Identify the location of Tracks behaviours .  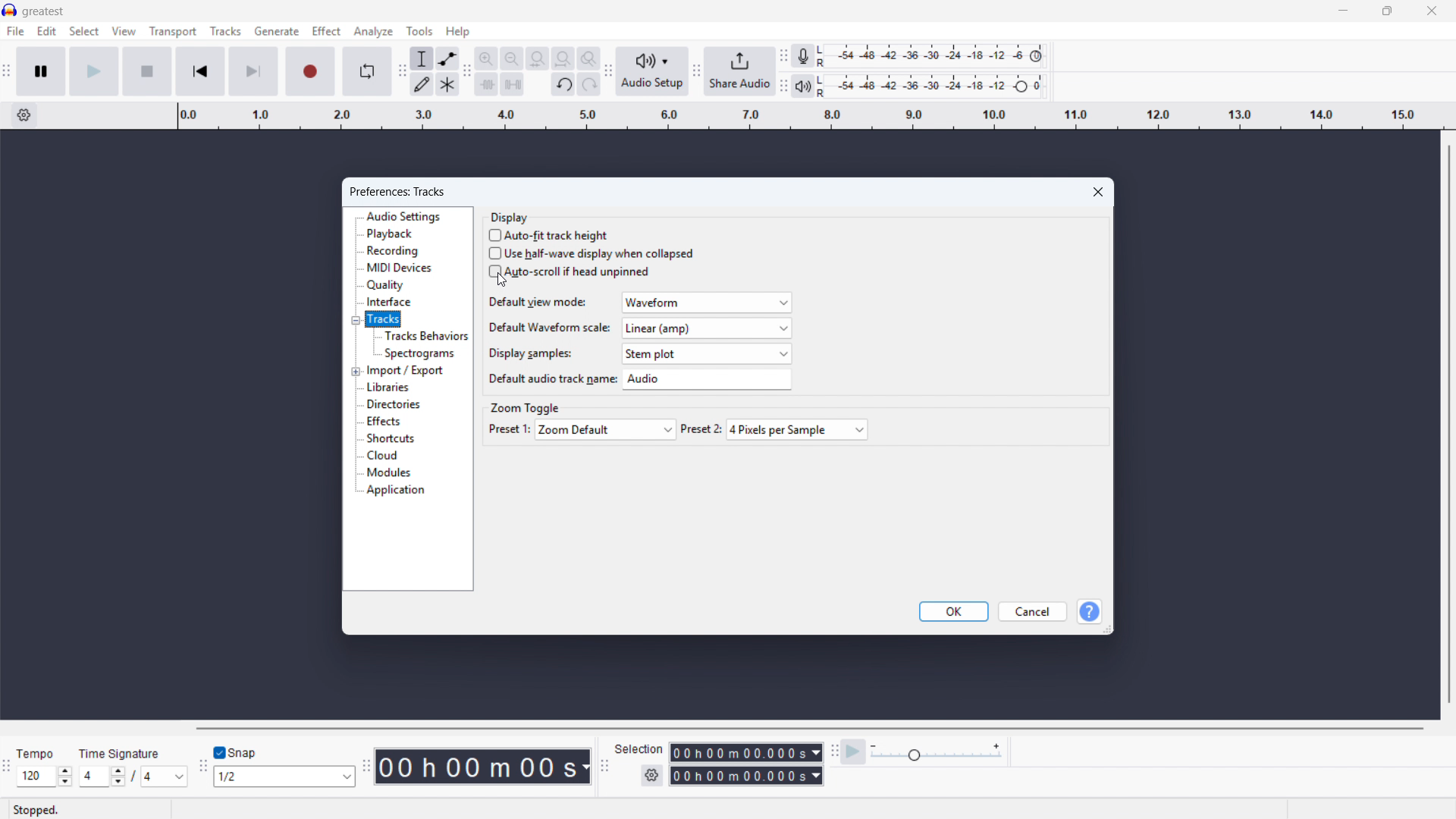
(425, 337).